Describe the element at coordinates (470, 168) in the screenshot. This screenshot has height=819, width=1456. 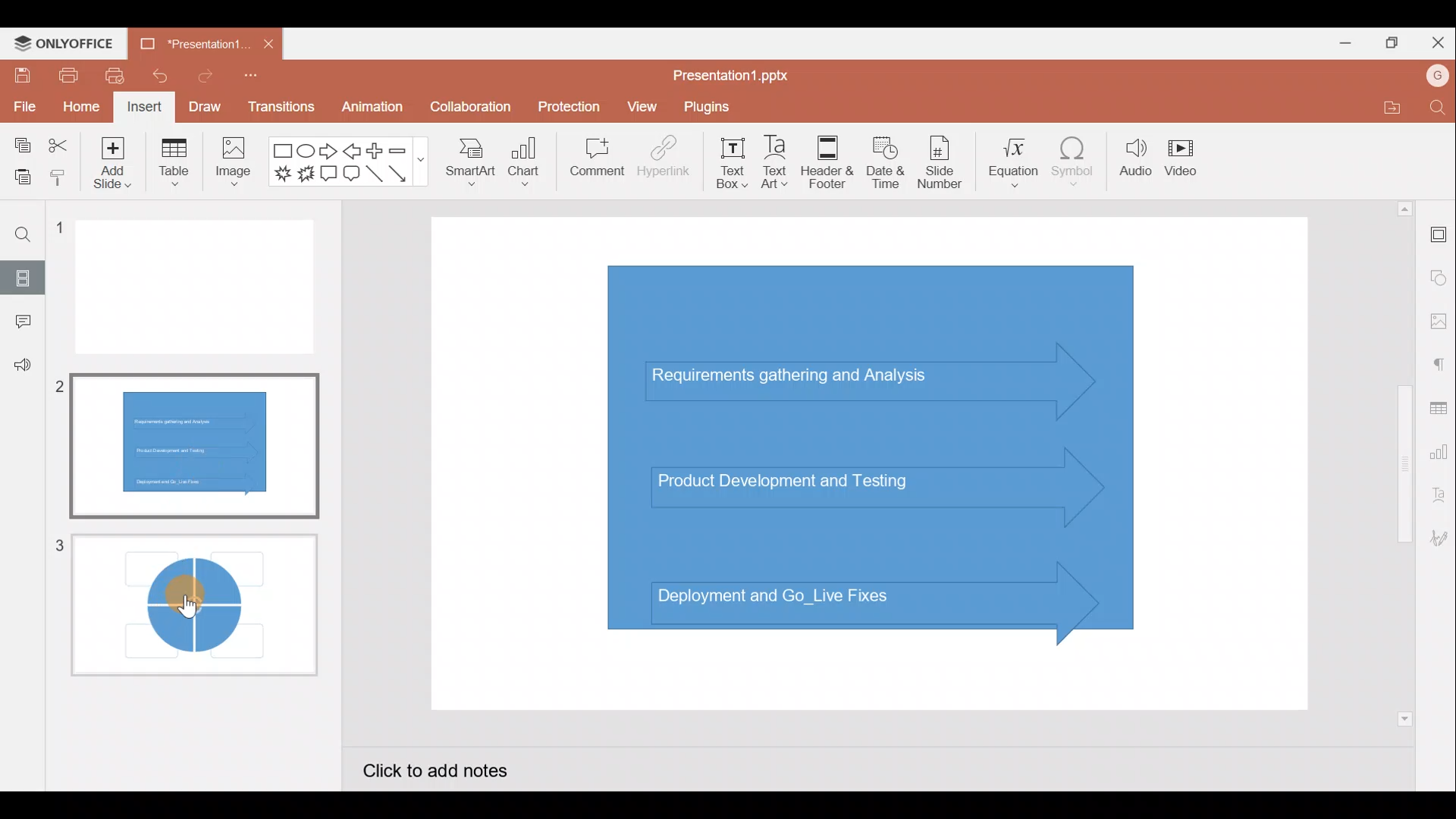
I see `SmartArt` at that location.